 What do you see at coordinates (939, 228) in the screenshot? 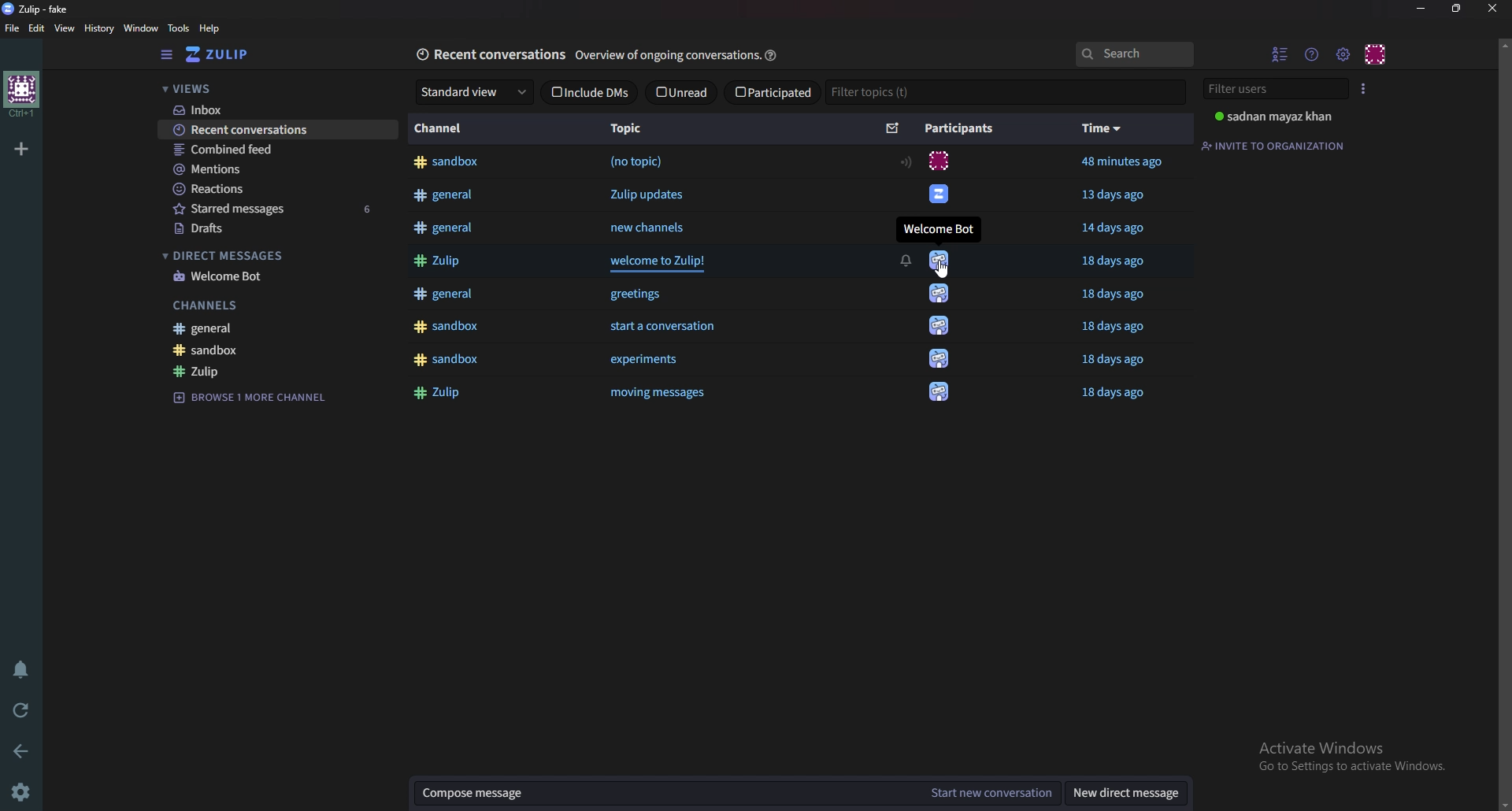
I see `Welcome Bot` at bounding box center [939, 228].